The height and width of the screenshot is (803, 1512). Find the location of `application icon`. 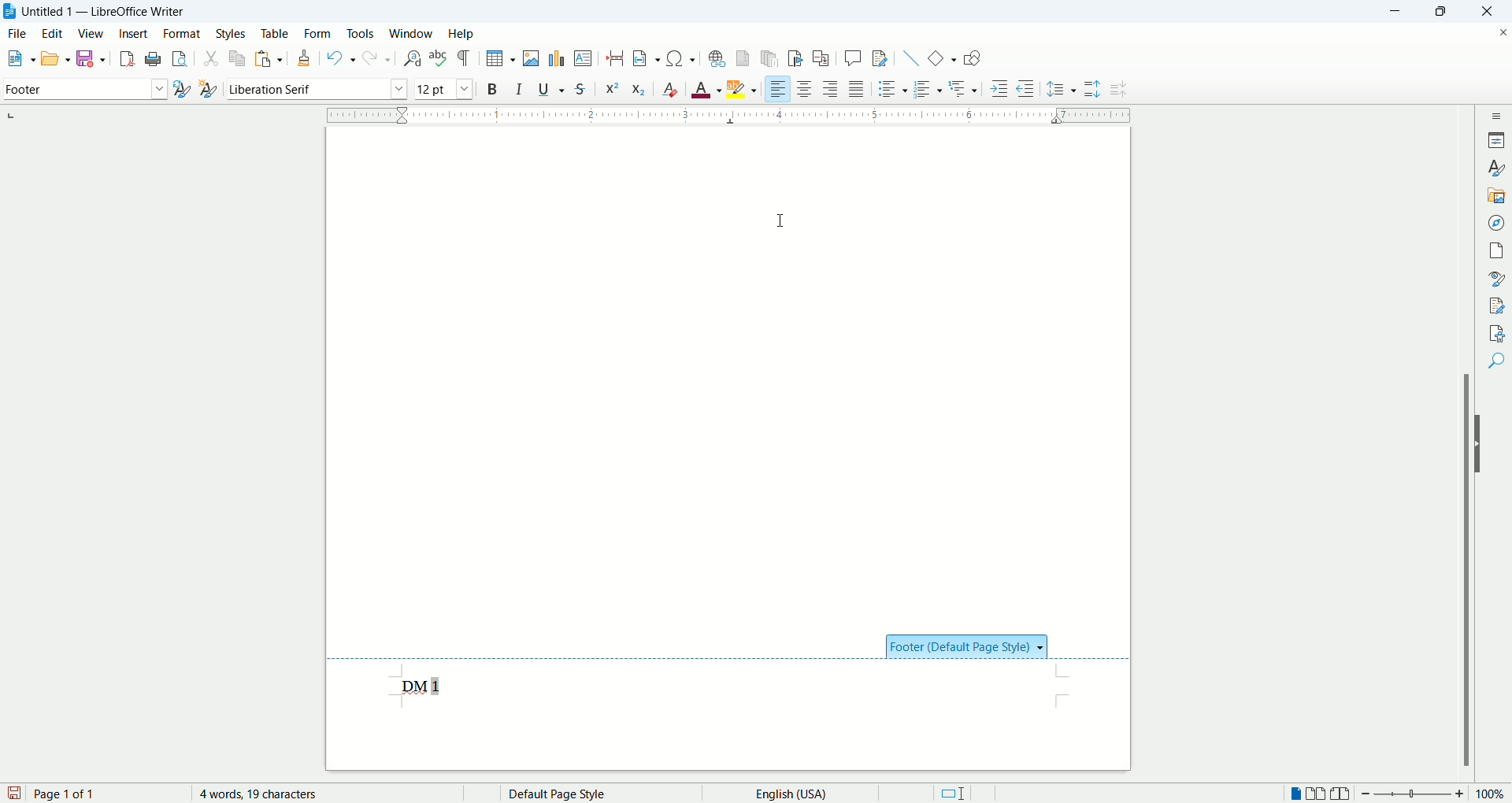

application icon is located at coordinates (10, 12).